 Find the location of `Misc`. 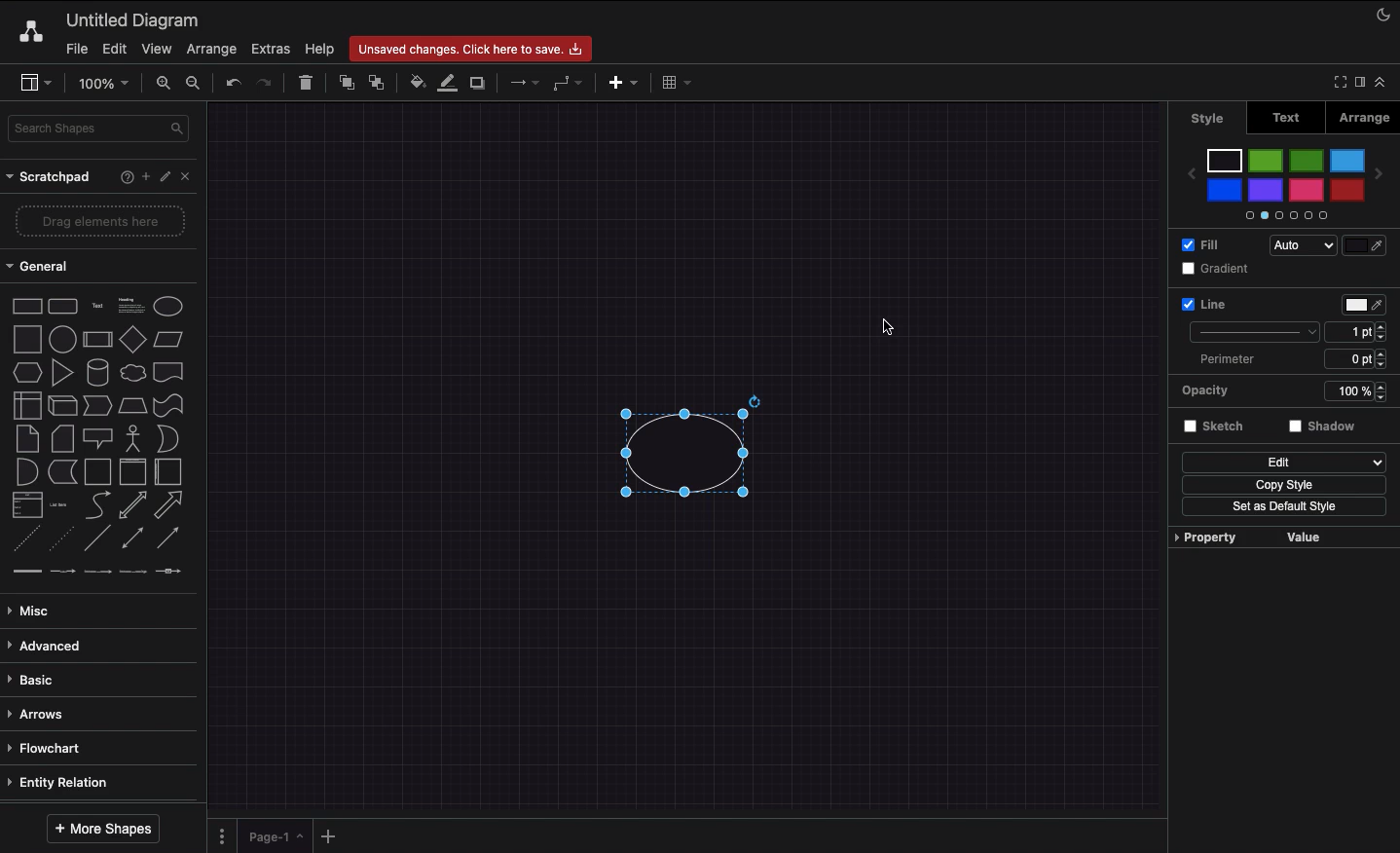

Misc is located at coordinates (34, 611).